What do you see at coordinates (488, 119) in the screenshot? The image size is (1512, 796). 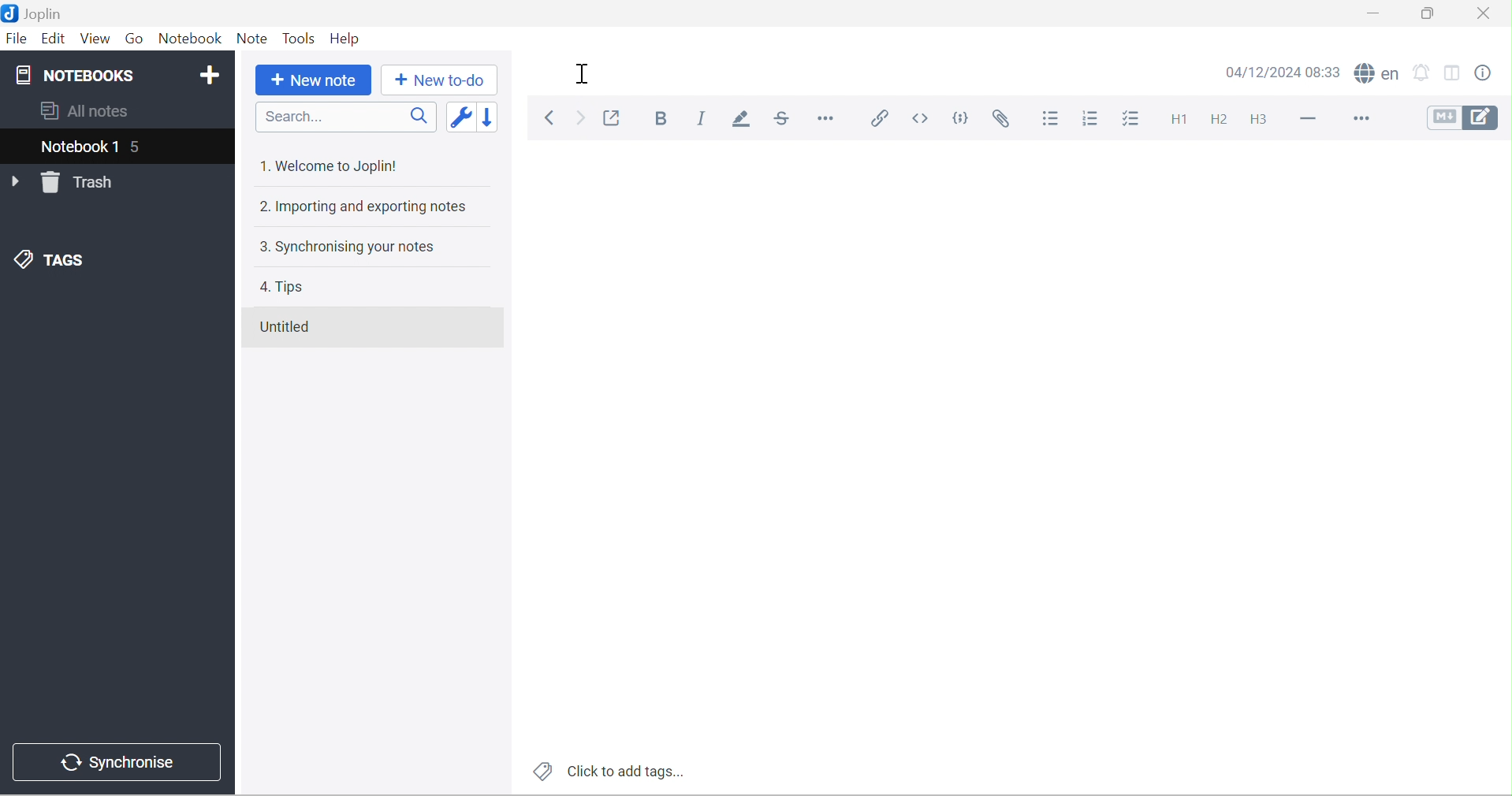 I see `Reverse sort order` at bounding box center [488, 119].